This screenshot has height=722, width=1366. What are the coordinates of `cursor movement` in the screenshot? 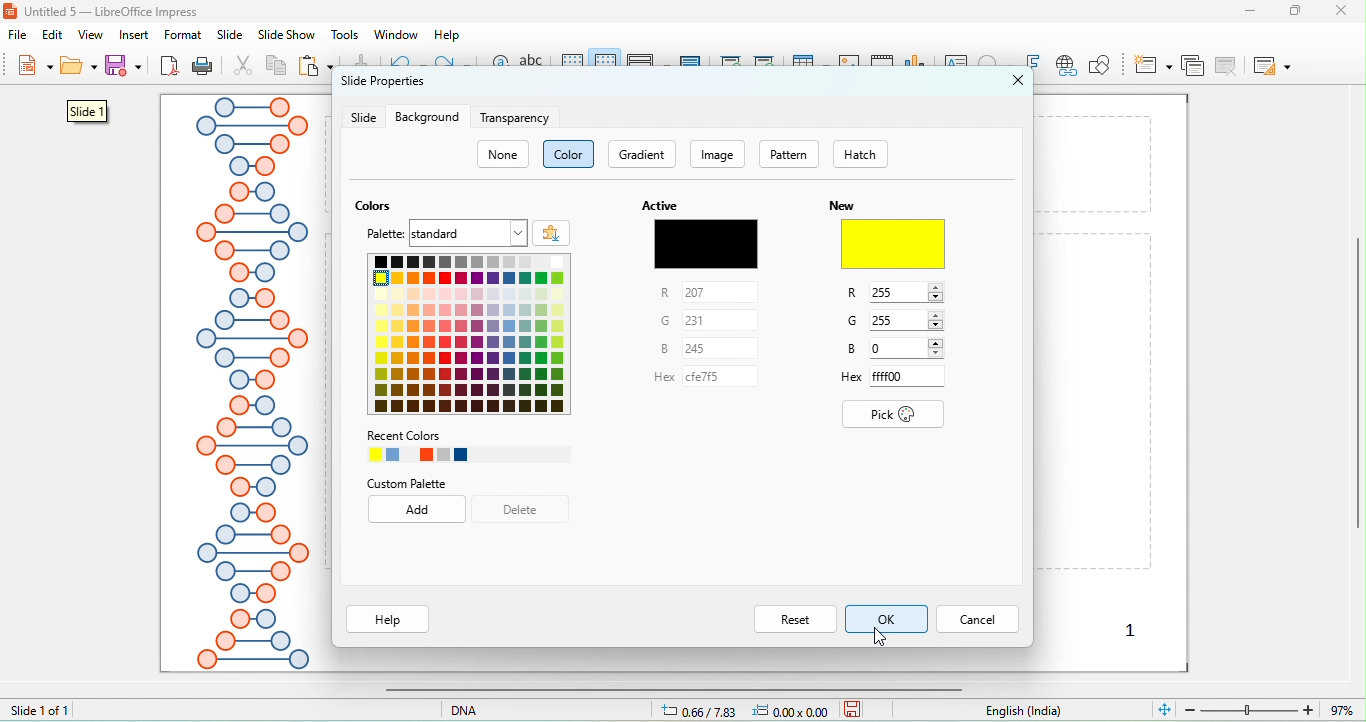 It's located at (884, 640).